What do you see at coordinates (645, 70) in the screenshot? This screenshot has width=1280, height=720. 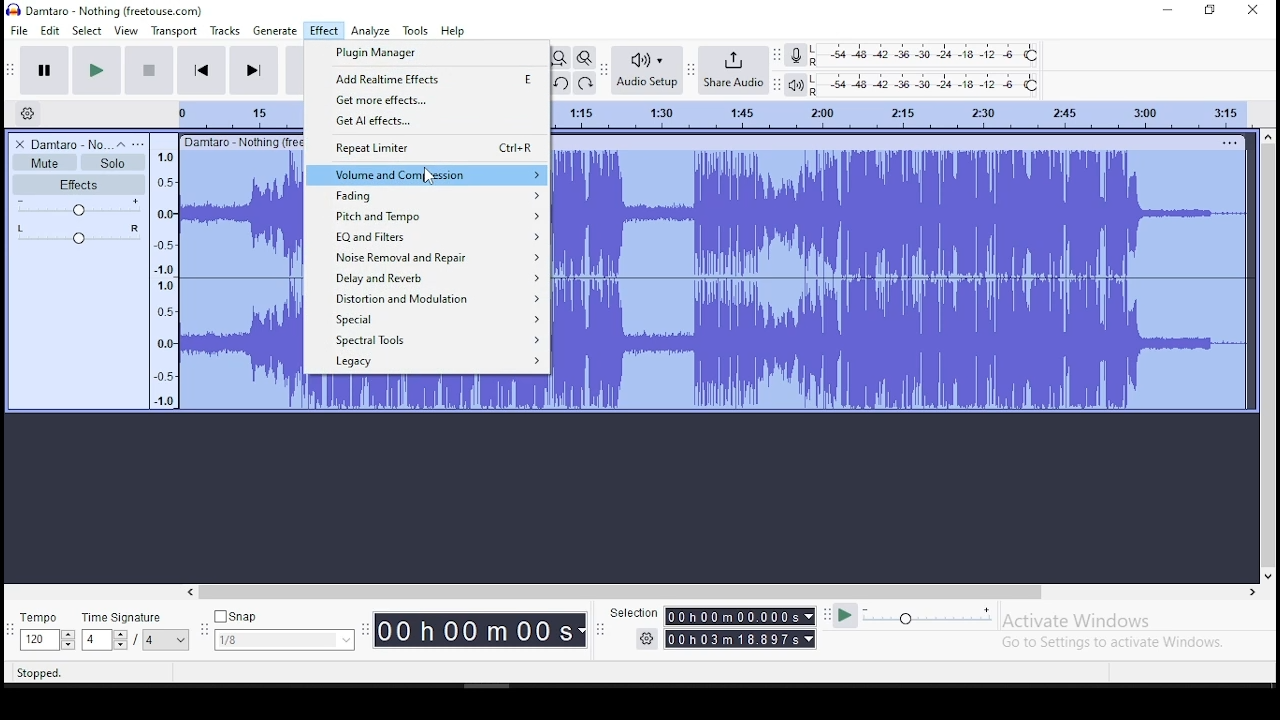 I see `audio setup` at bounding box center [645, 70].